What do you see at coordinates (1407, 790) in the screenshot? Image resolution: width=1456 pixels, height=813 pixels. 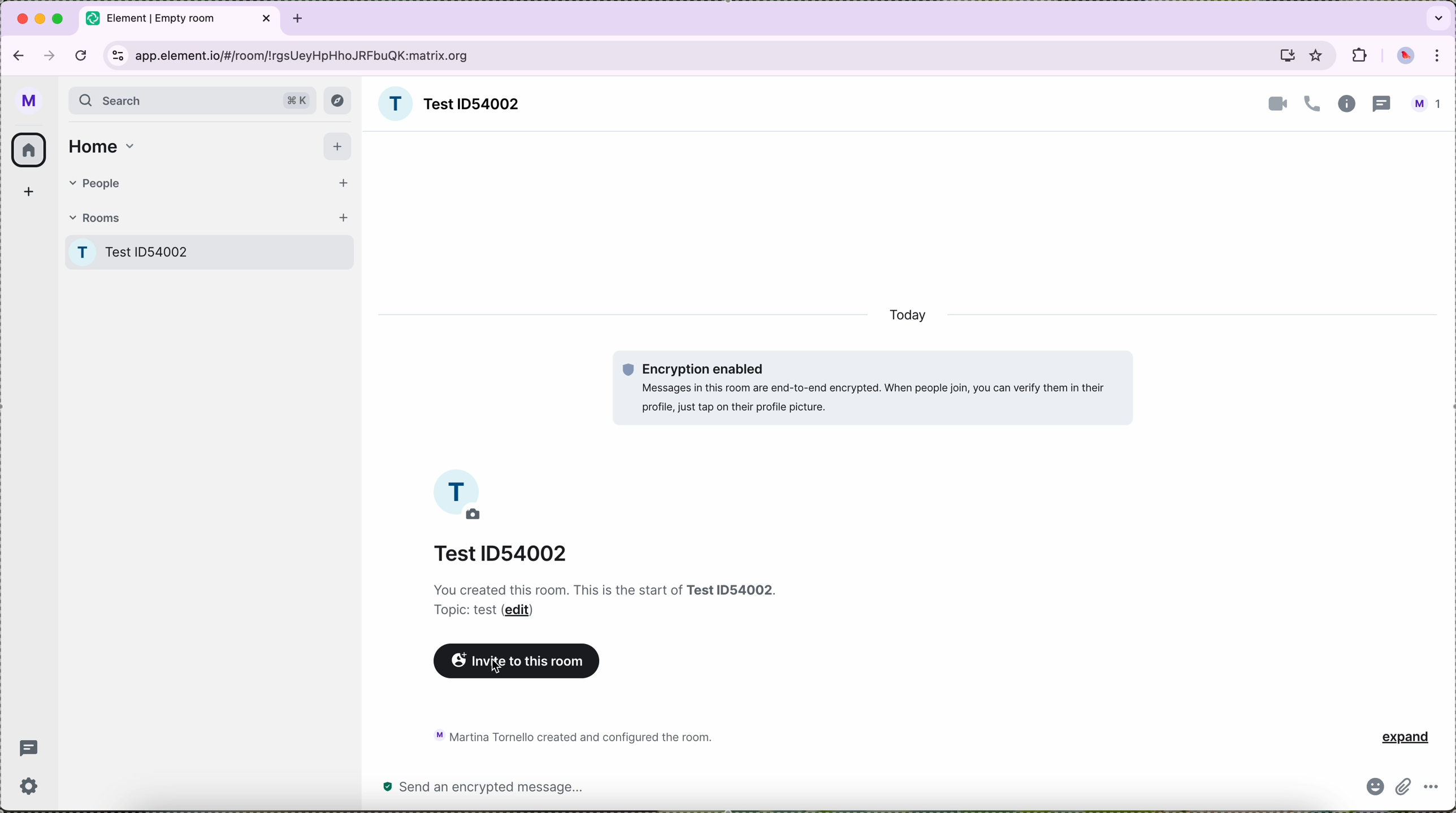 I see `attach file` at bounding box center [1407, 790].